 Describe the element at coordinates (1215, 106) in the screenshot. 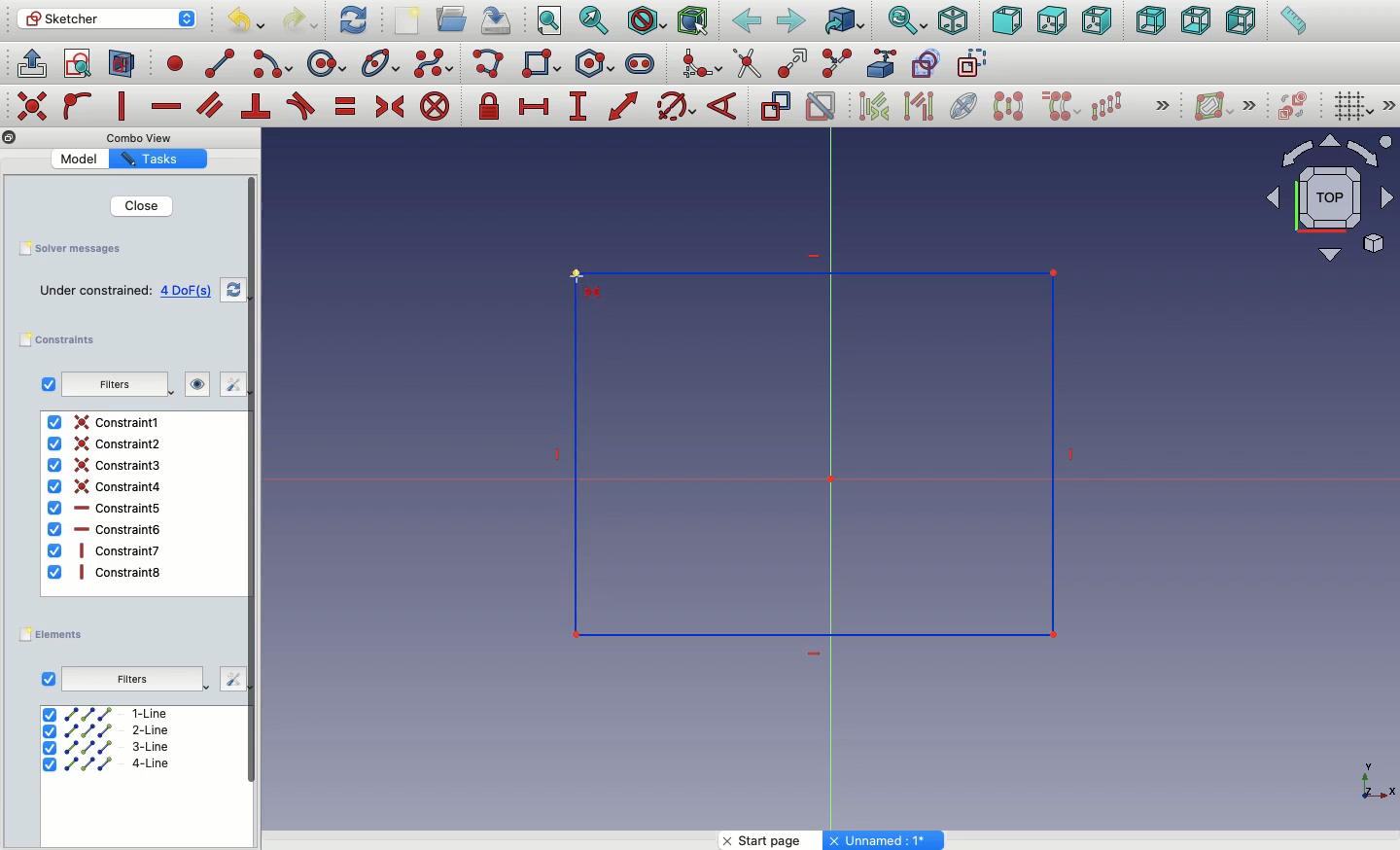

I see `Show hide B spline information layer` at that location.